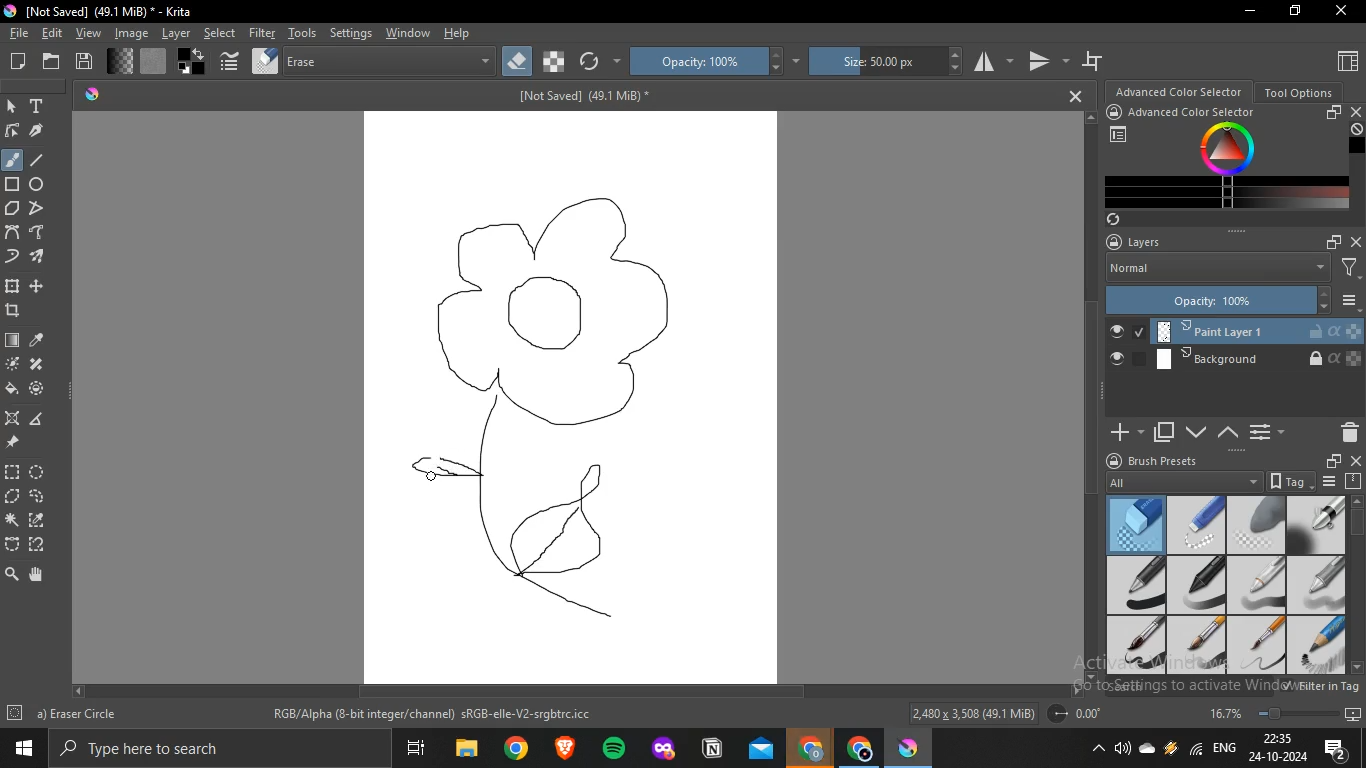 The height and width of the screenshot is (768, 1366). I want to click on float docker, so click(1334, 113).